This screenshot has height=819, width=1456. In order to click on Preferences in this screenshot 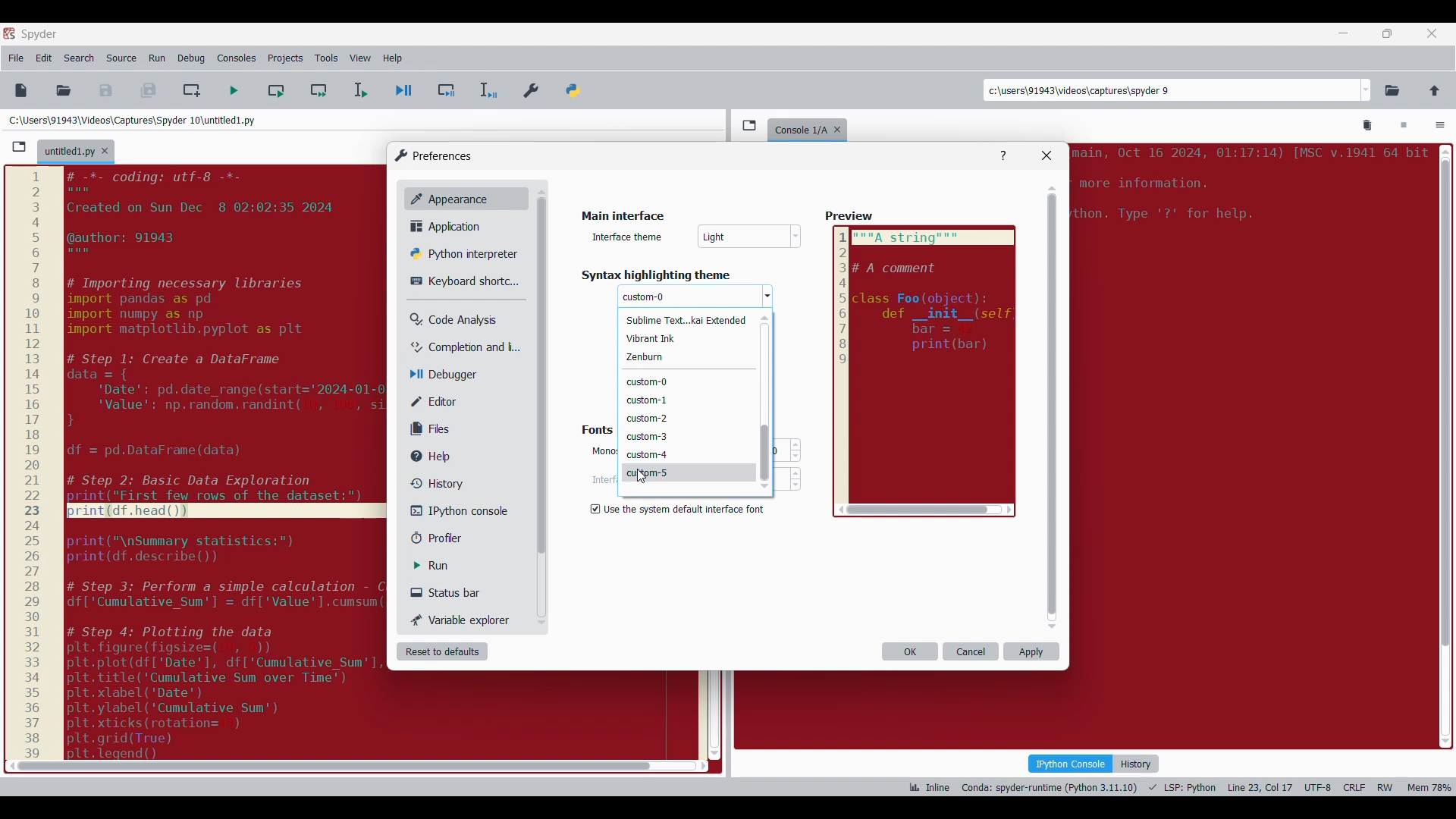, I will do `click(532, 87)`.